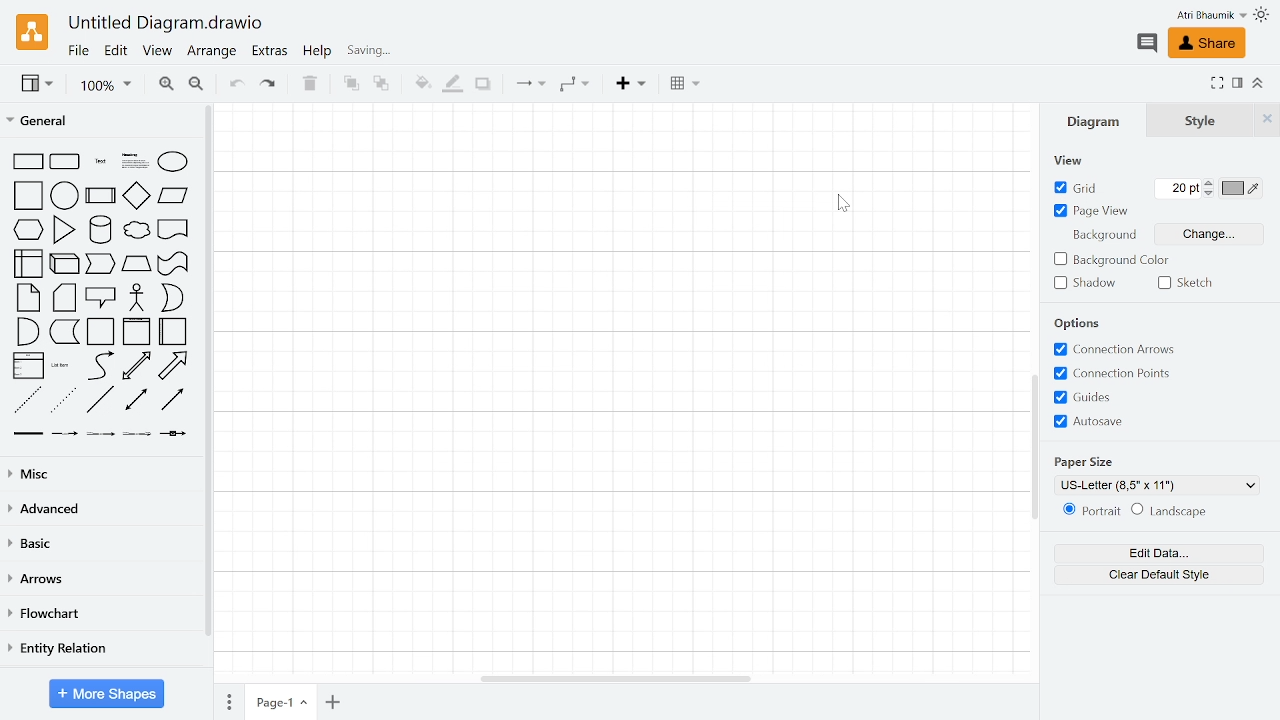  What do you see at coordinates (1093, 511) in the screenshot?
I see `Potrait` at bounding box center [1093, 511].